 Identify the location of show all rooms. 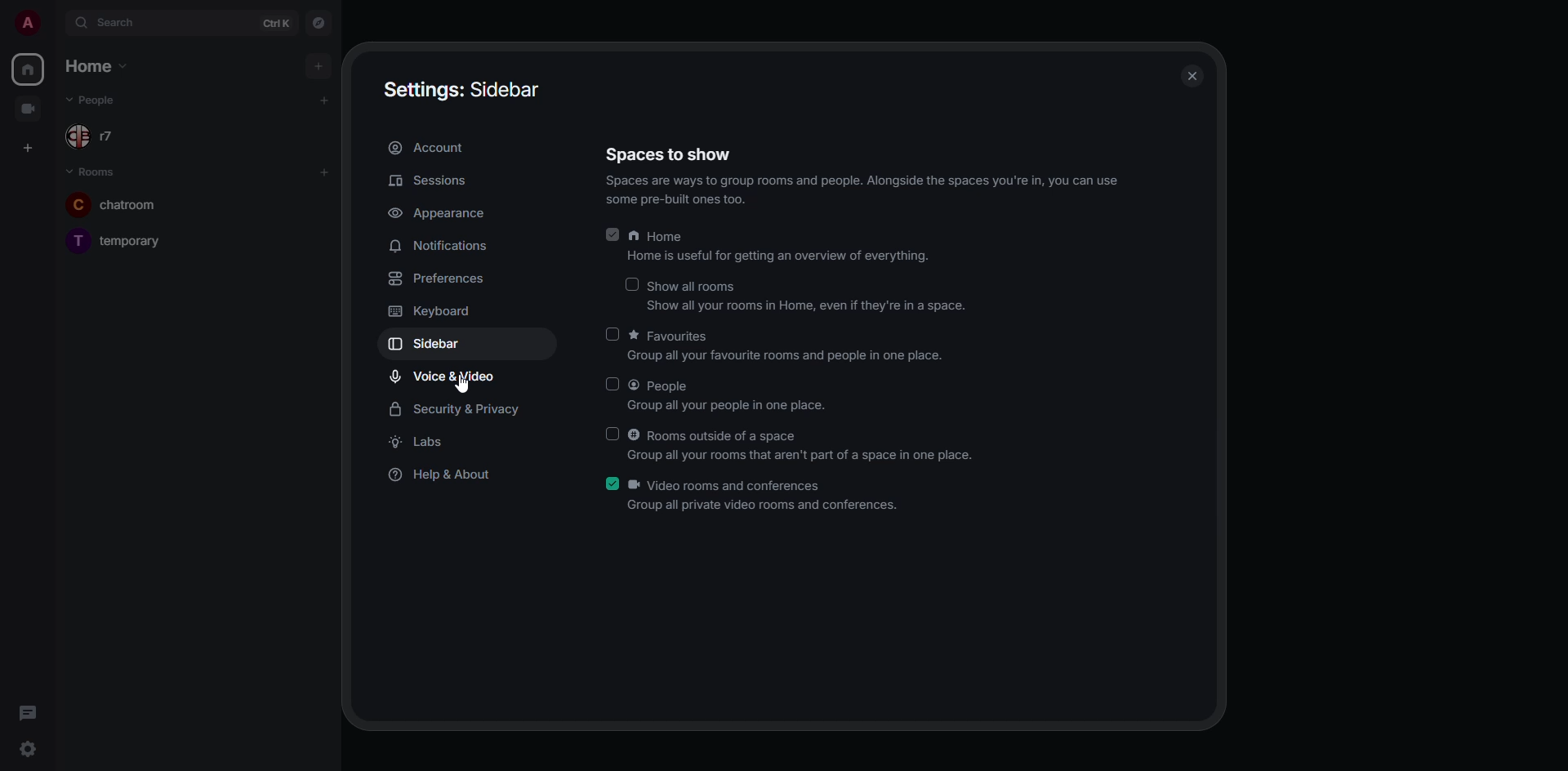
(810, 297).